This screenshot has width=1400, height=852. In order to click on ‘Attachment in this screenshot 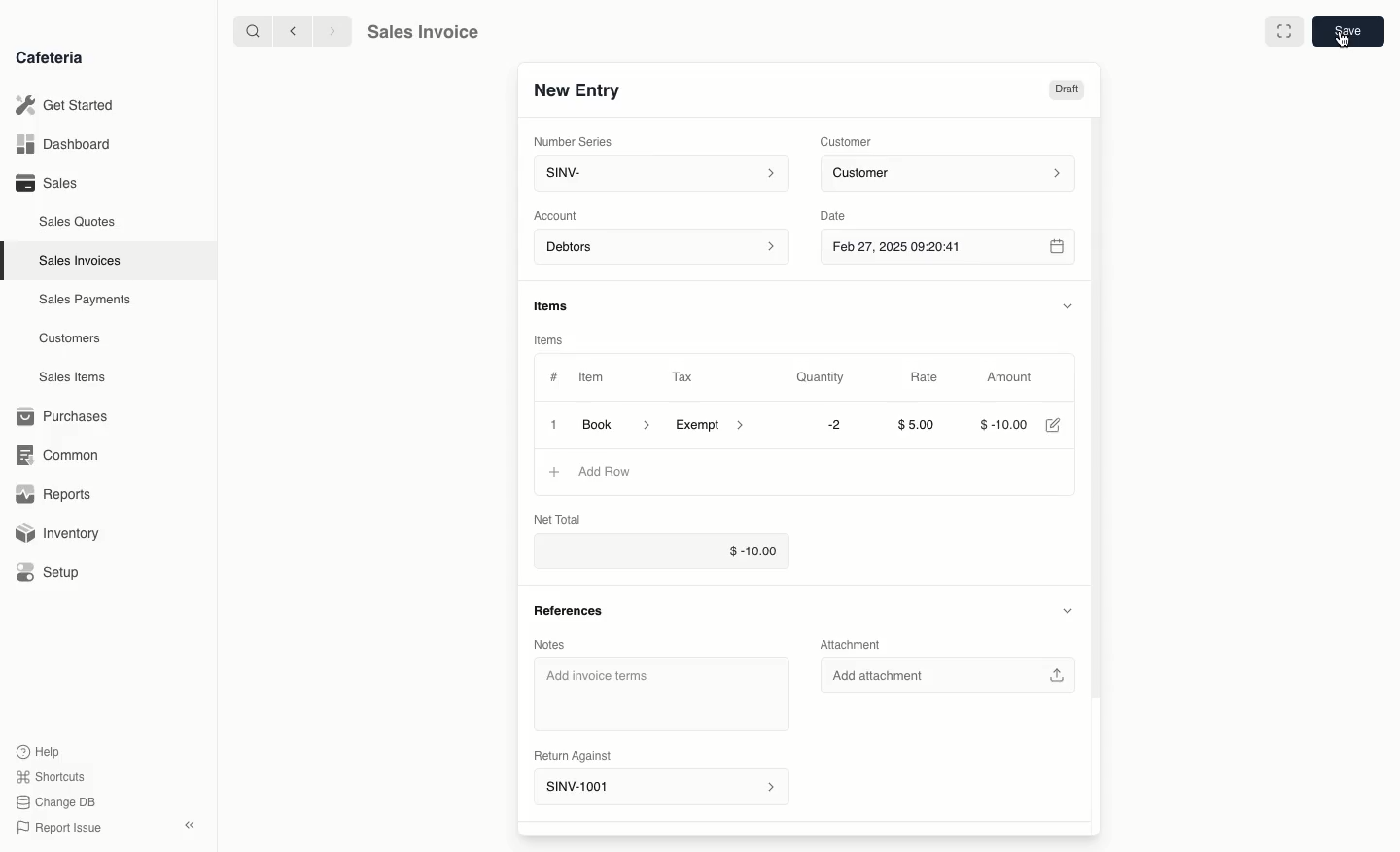, I will do `click(856, 643)`.